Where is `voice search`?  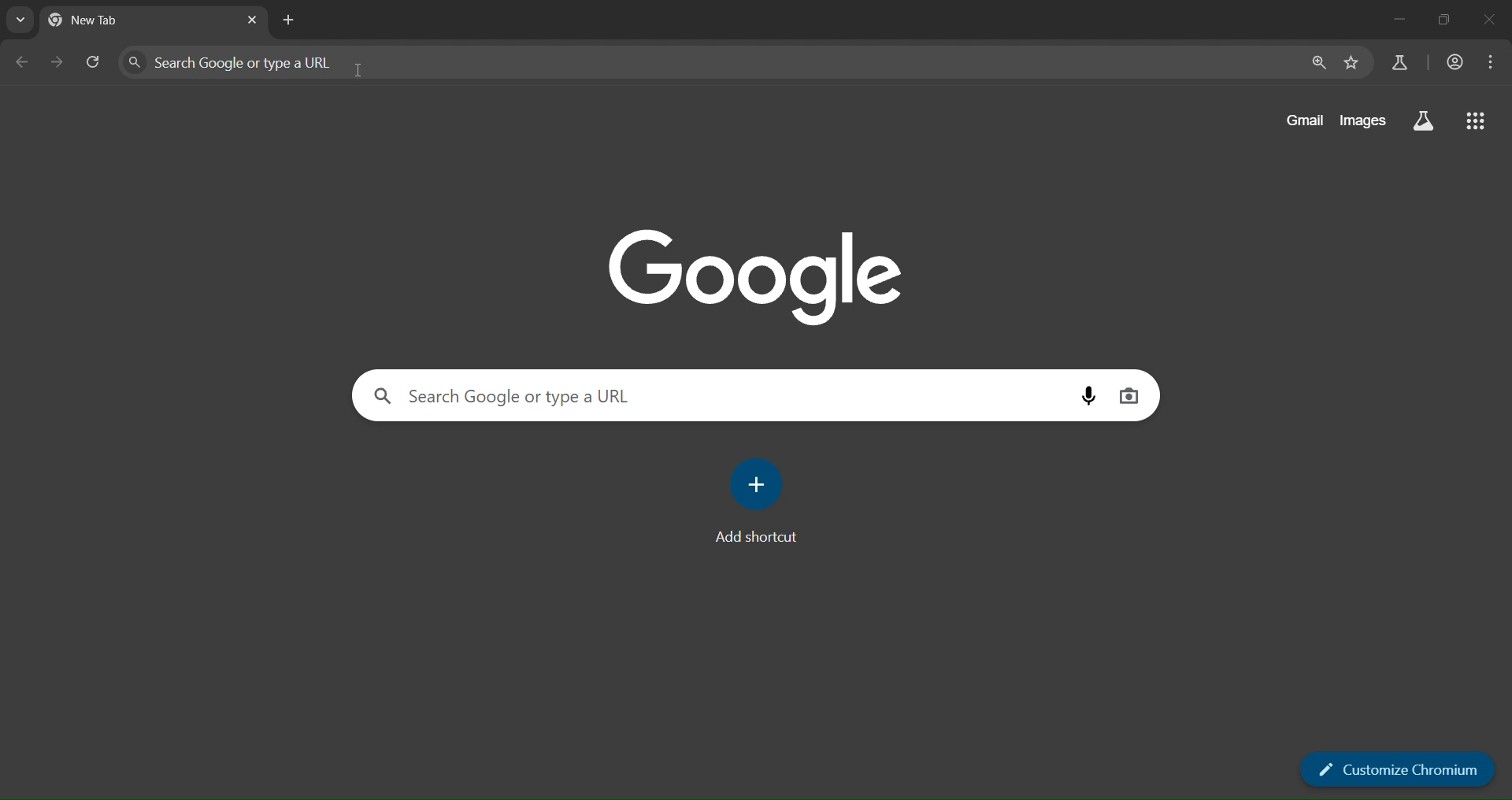
voice search is located at coordinates (1087, 398).